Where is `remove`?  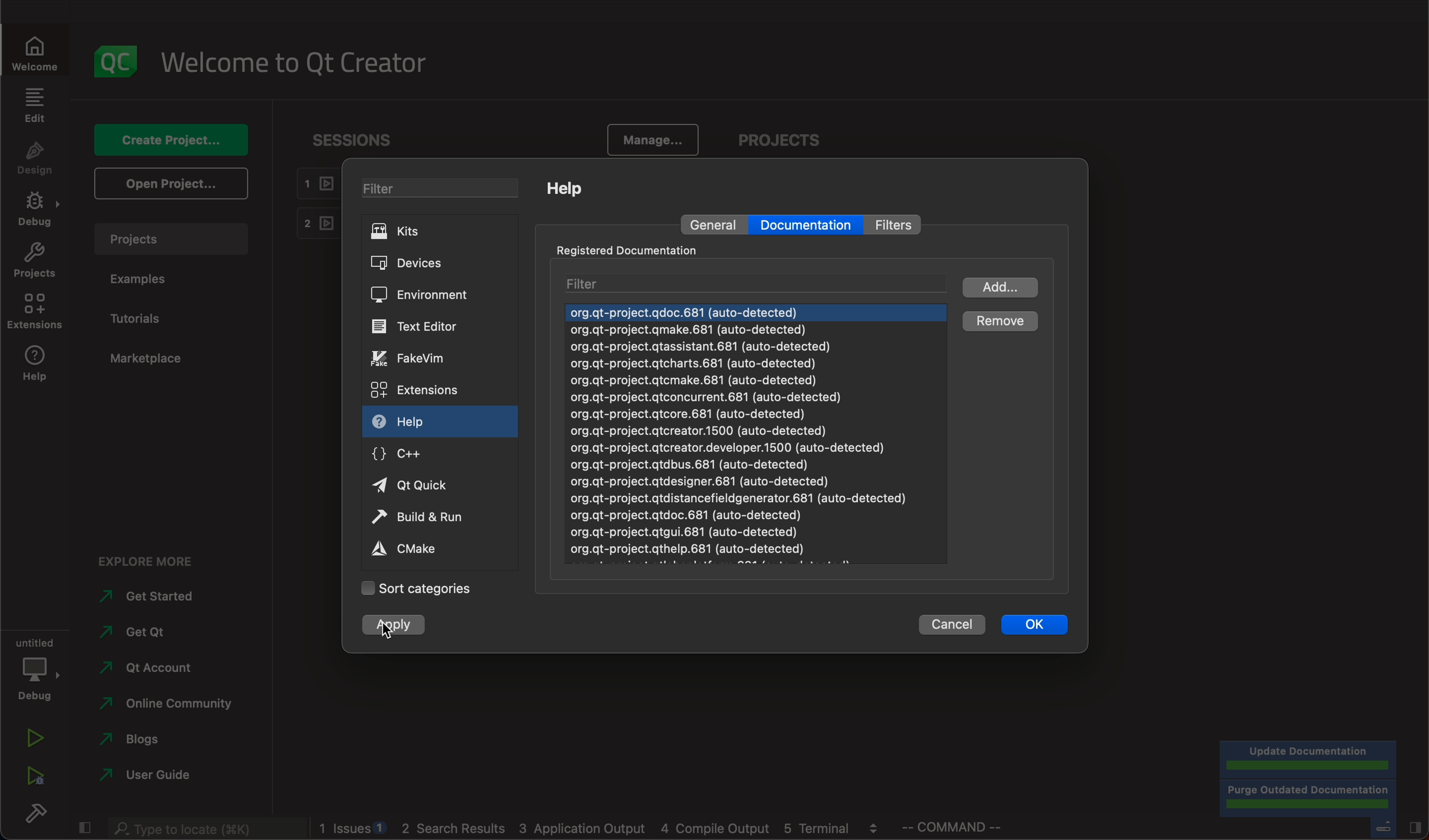
remove is located at coordinates (995, 323).